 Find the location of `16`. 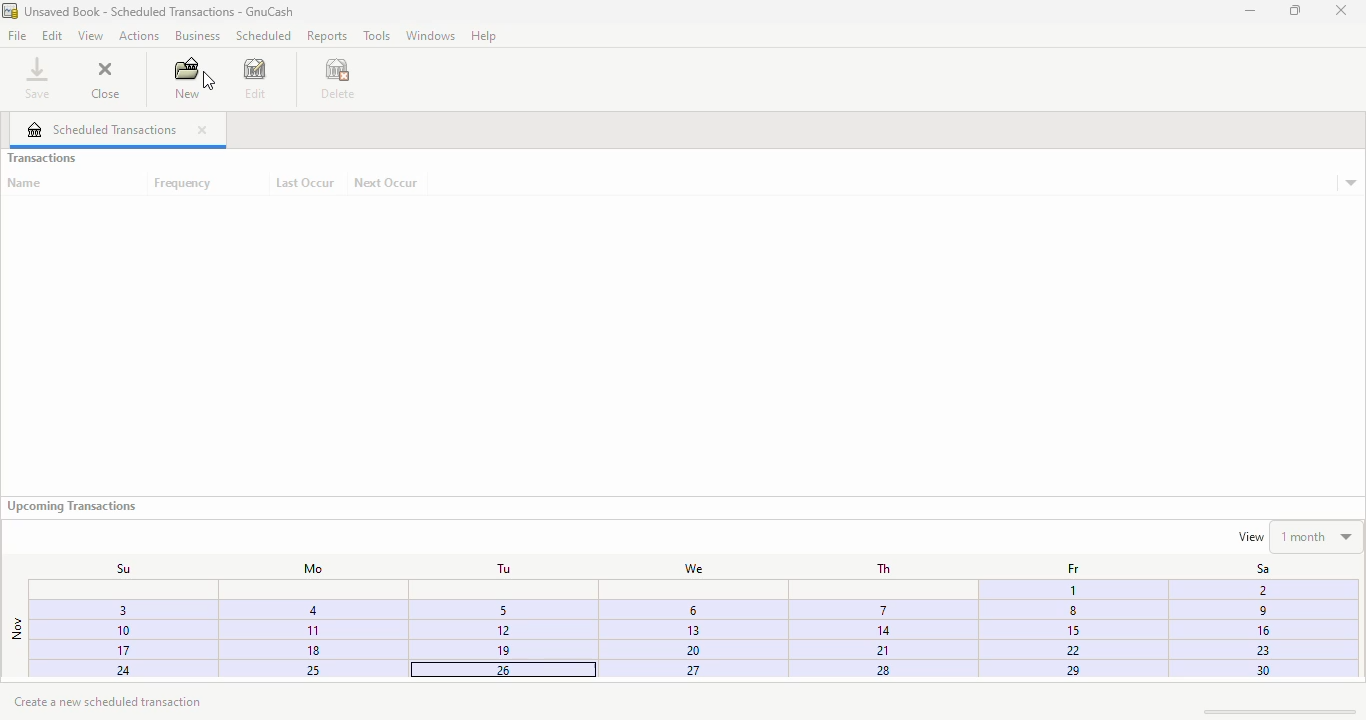

16 is located at coordinates (1261, 631).